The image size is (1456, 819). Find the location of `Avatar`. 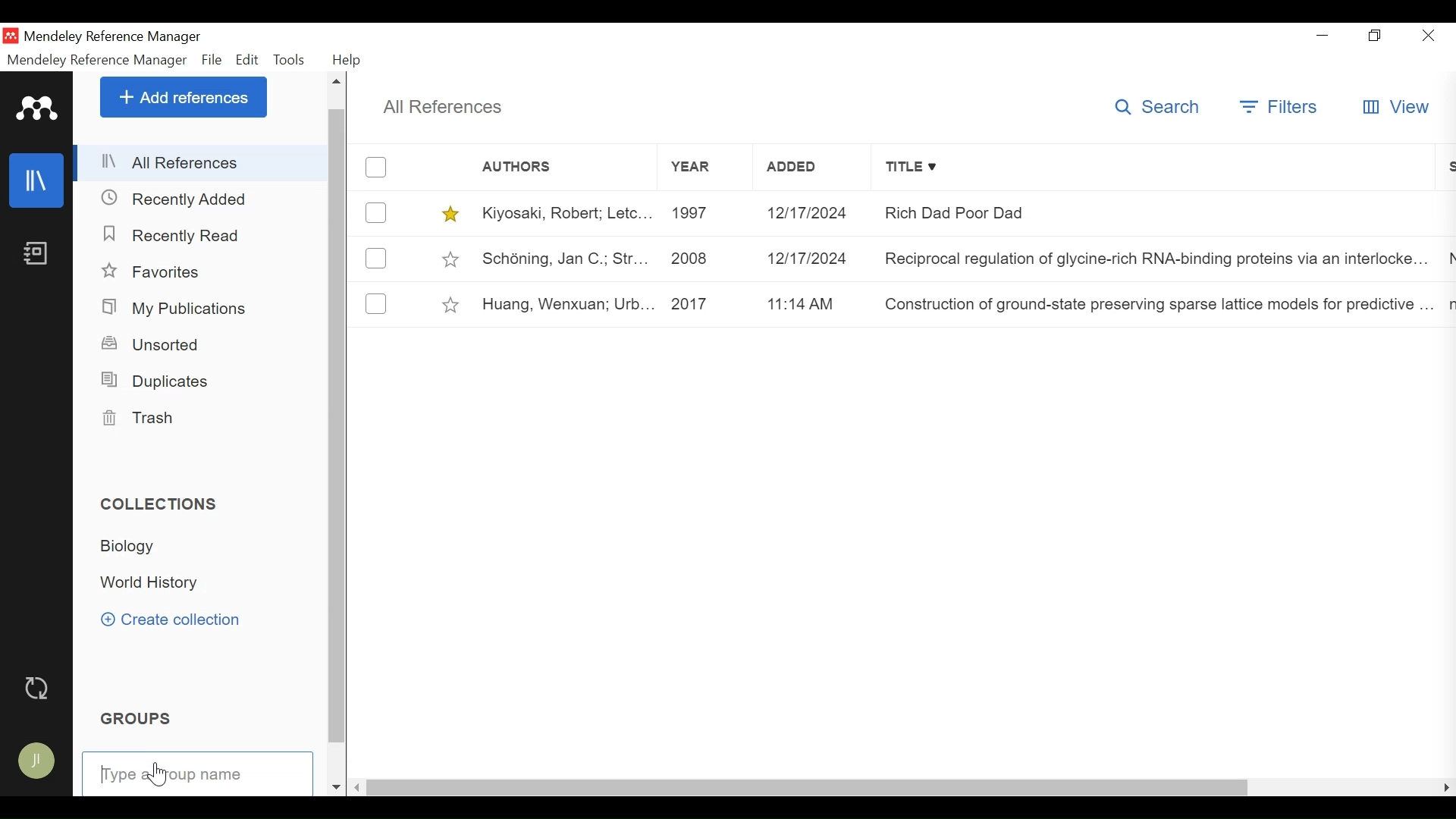

Avatar is located at coordinates (38, 762).